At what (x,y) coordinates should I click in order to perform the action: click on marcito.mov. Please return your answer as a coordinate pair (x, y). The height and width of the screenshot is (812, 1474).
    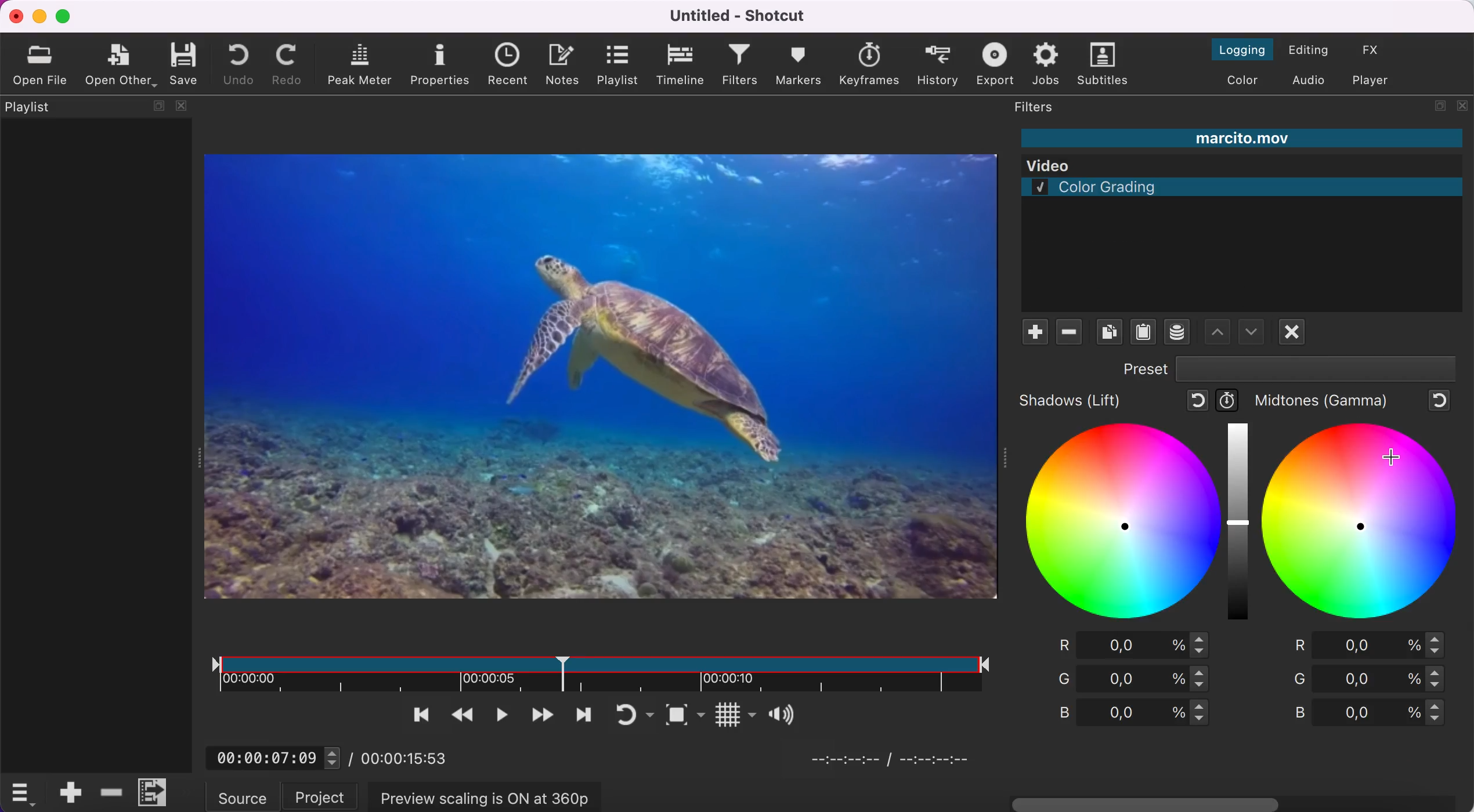
    Looking at the image, I should click on (1240, 139).